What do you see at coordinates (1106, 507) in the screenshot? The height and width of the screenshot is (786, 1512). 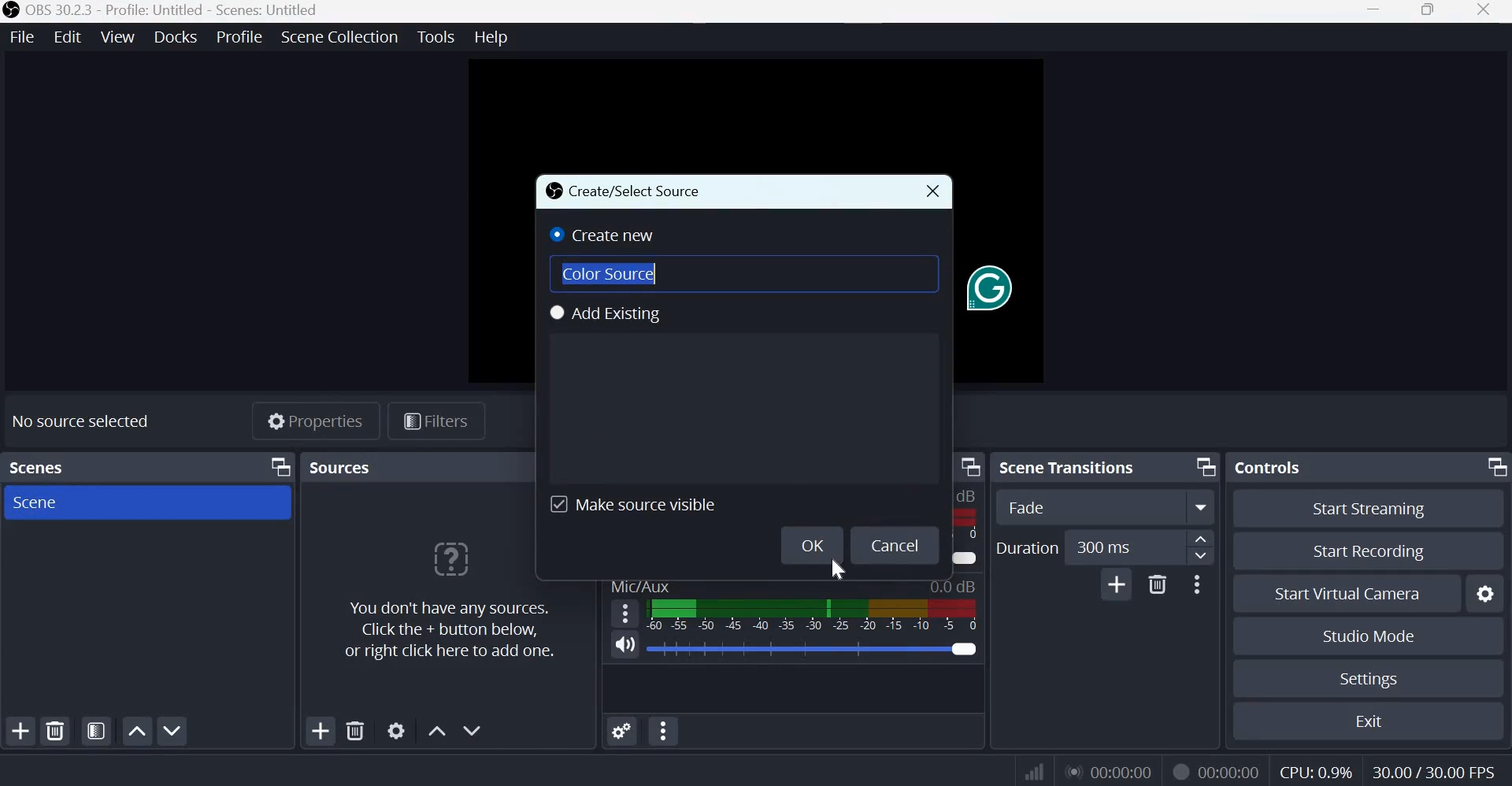 I see `Transition Type Dropdown` at bounding box center [1106, 507].